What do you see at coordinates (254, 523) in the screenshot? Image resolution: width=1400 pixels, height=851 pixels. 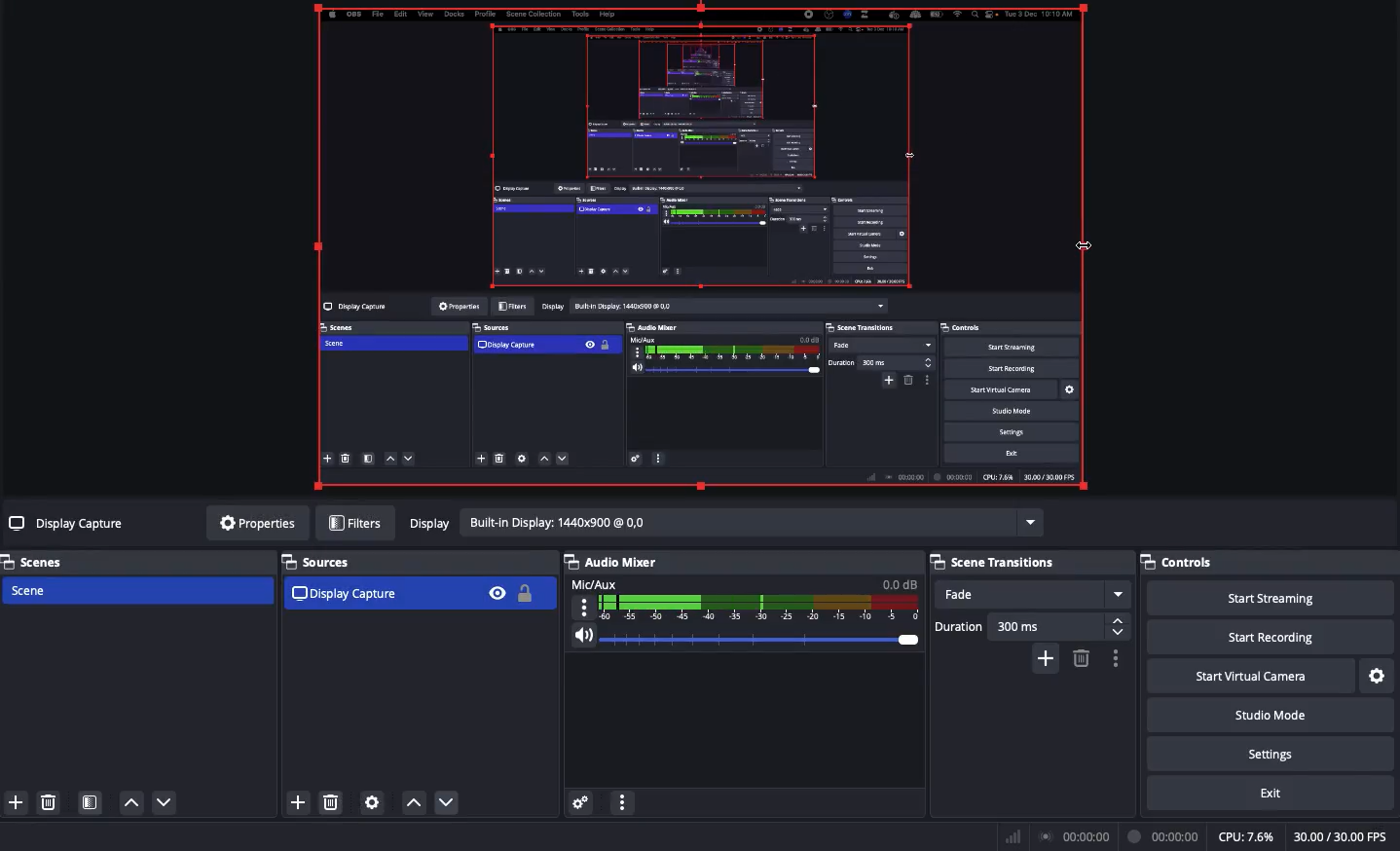 I see `Properties` at bounding box center [254, 523].